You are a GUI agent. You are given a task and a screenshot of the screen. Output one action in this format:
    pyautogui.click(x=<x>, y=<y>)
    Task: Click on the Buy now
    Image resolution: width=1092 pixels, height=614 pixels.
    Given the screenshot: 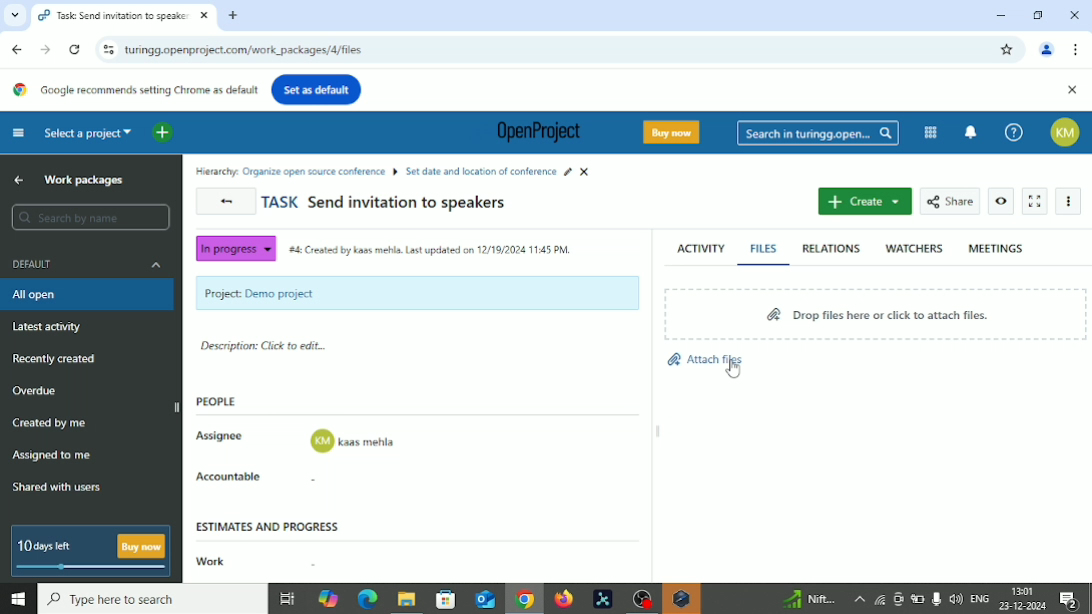 What is the action you would take?
    pyautogui.click(x=675, y=132)
    